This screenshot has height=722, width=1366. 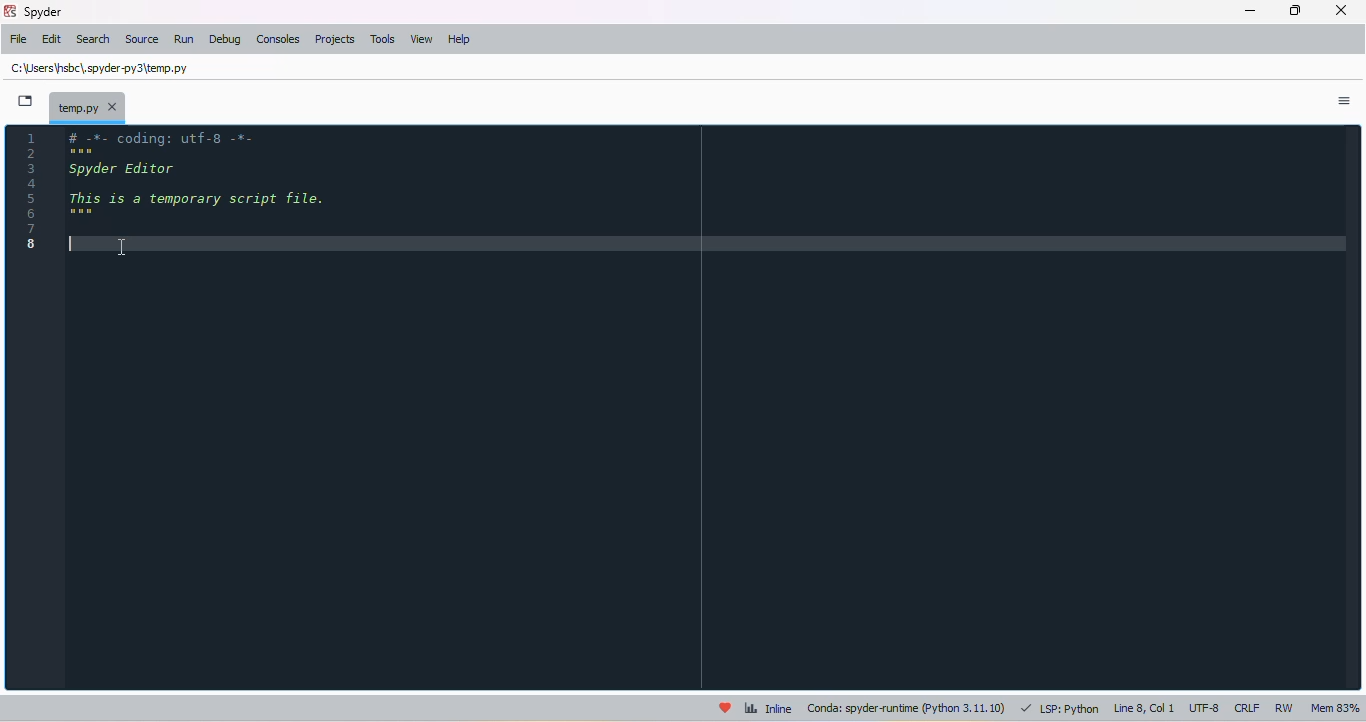 What do you see at coordinates (278, 39) in the screenshot?
I see `consoles` at bounding box center [278, 39].